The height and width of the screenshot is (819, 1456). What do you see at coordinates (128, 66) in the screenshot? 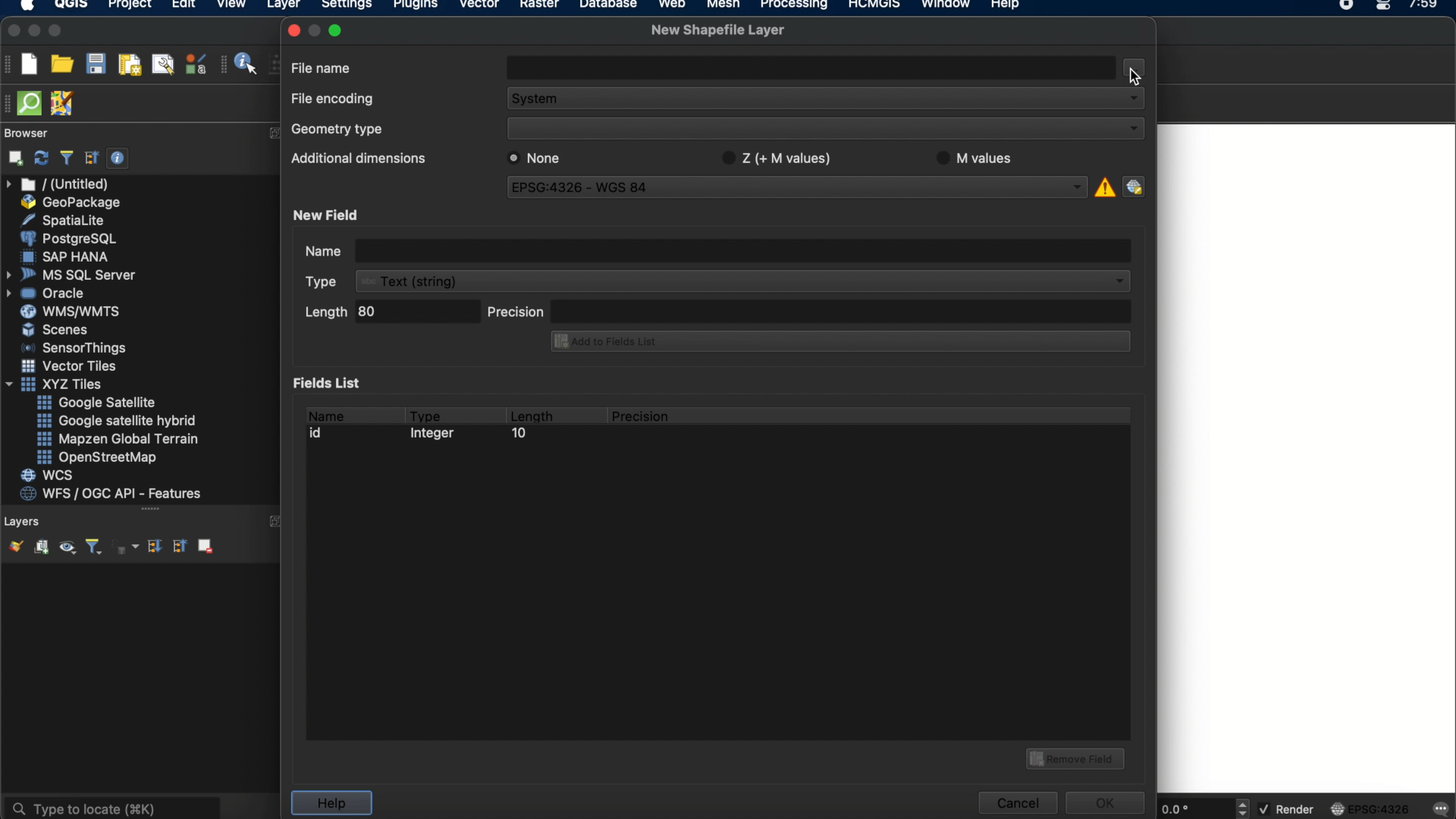
I see `new paint layout` at bounding box center [128, 66].